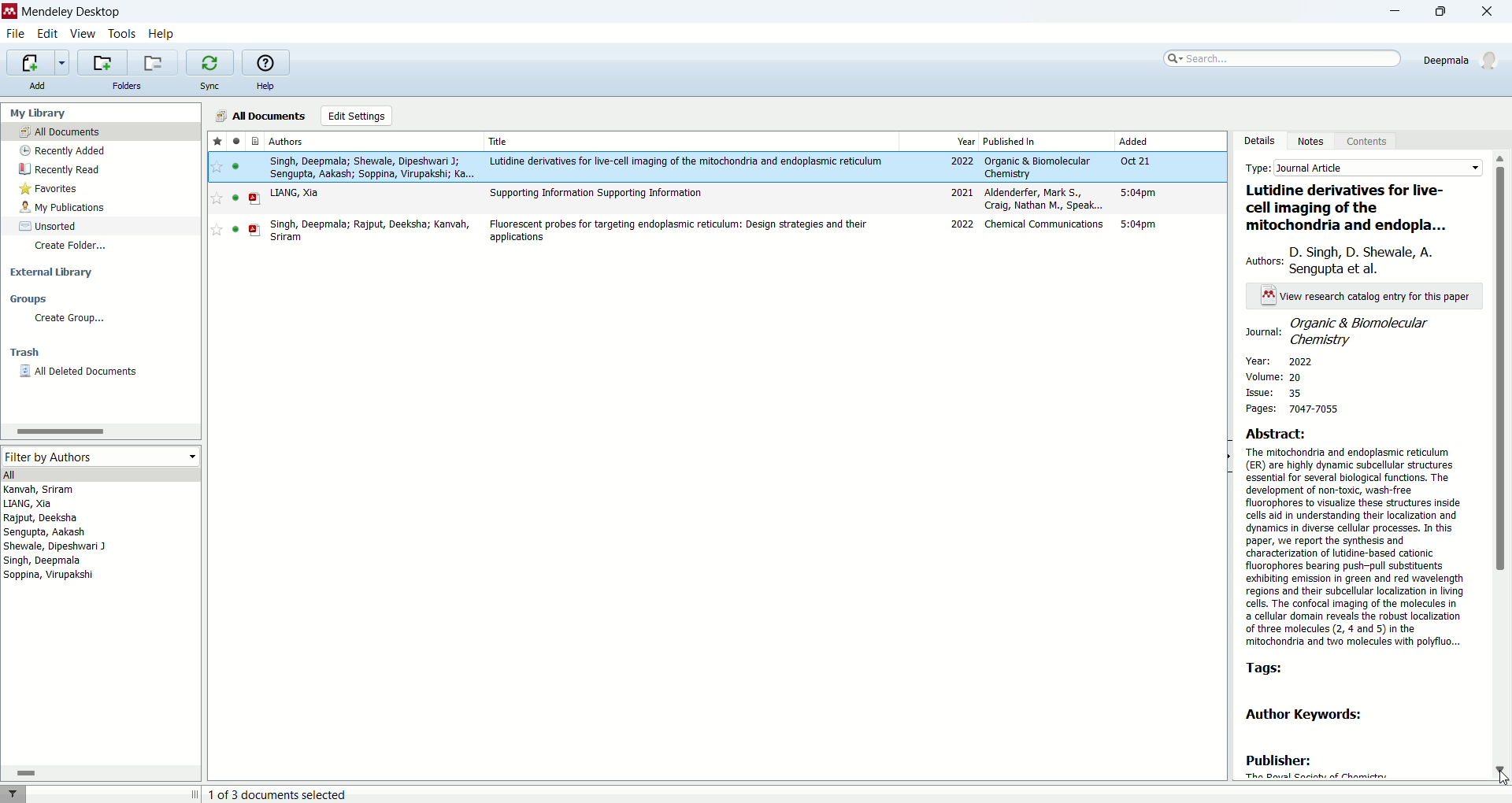  I want to click on soppina, virupakshi, so click(50, 574).